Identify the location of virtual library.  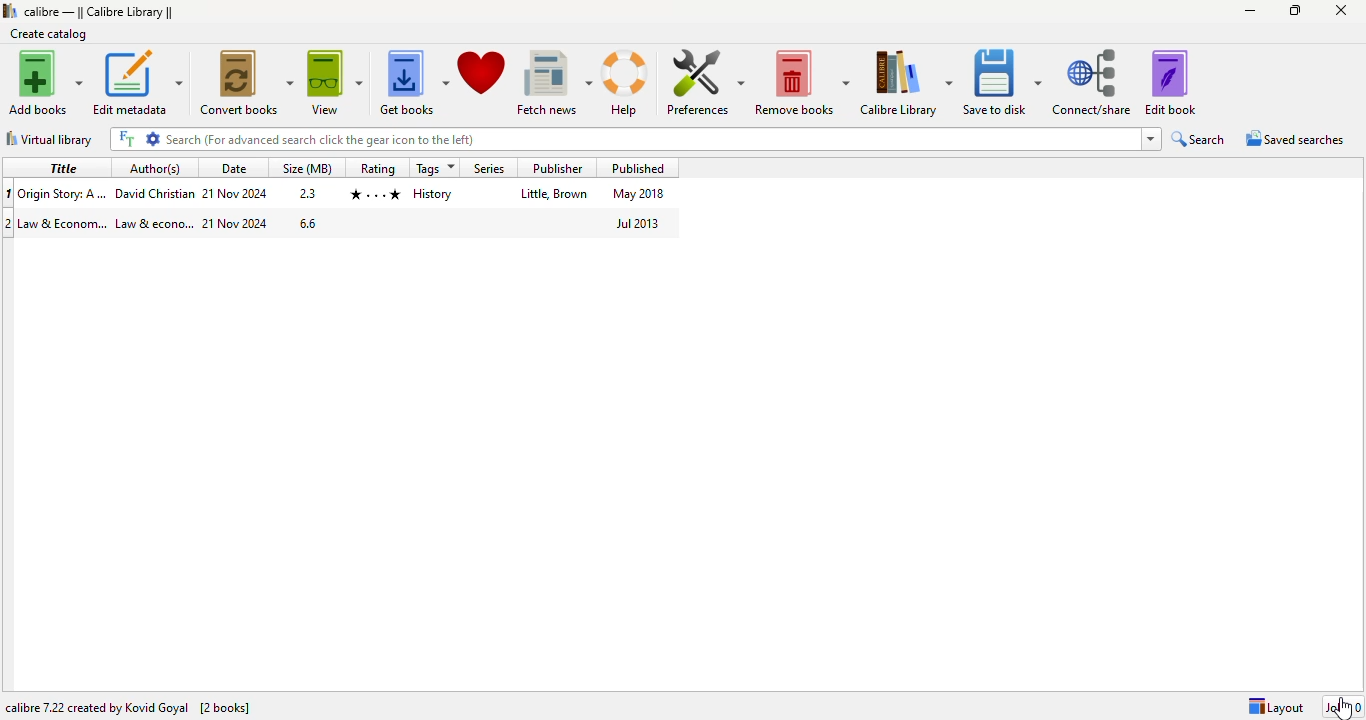
(50, 138).